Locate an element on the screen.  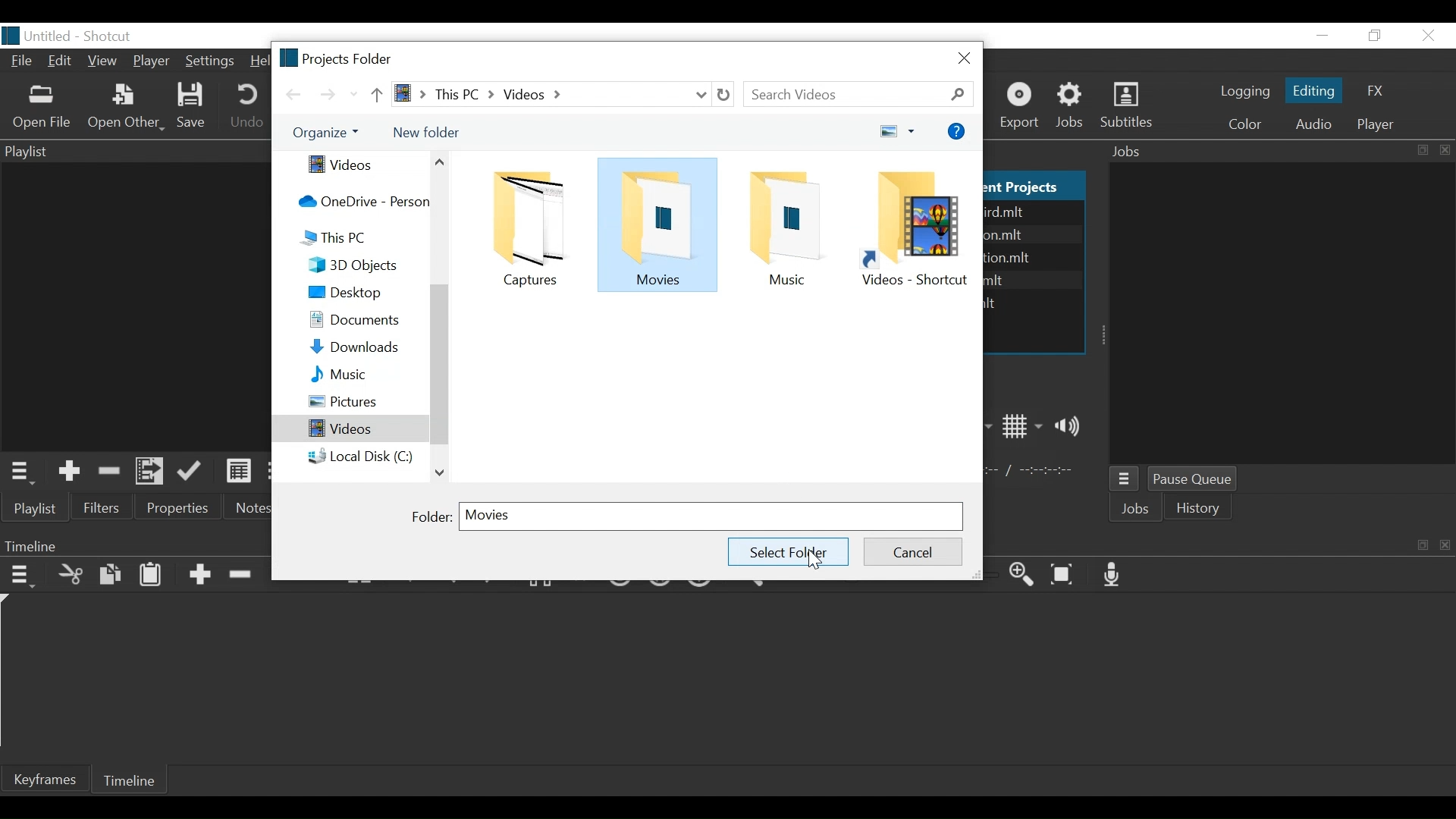
Open File is located at coordinates (42, 107).